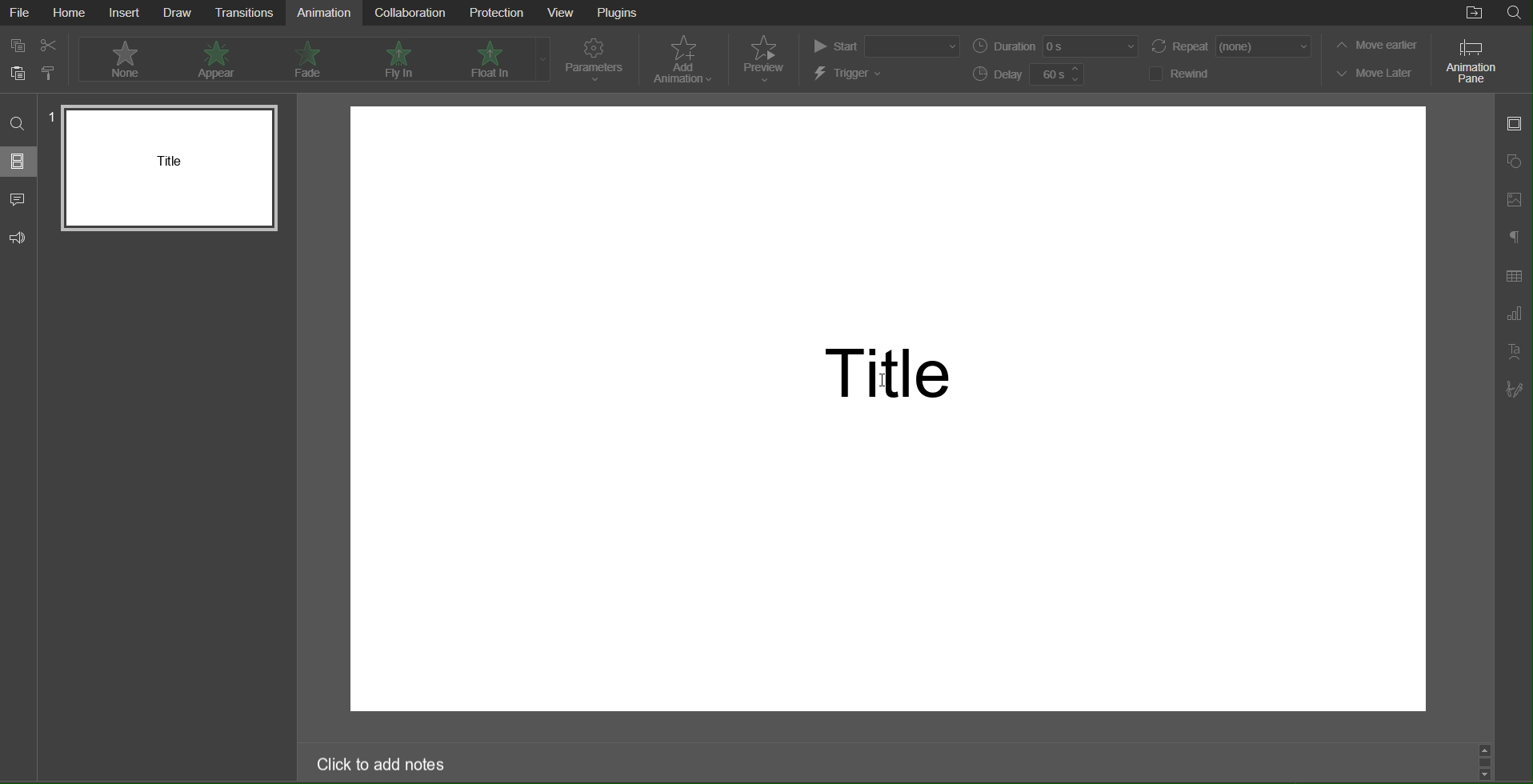 The image size is (1533, 784). What do you see at coordinates (488, 59) in the screenshot?
I see `Float In` at bounding box center [488, 59].